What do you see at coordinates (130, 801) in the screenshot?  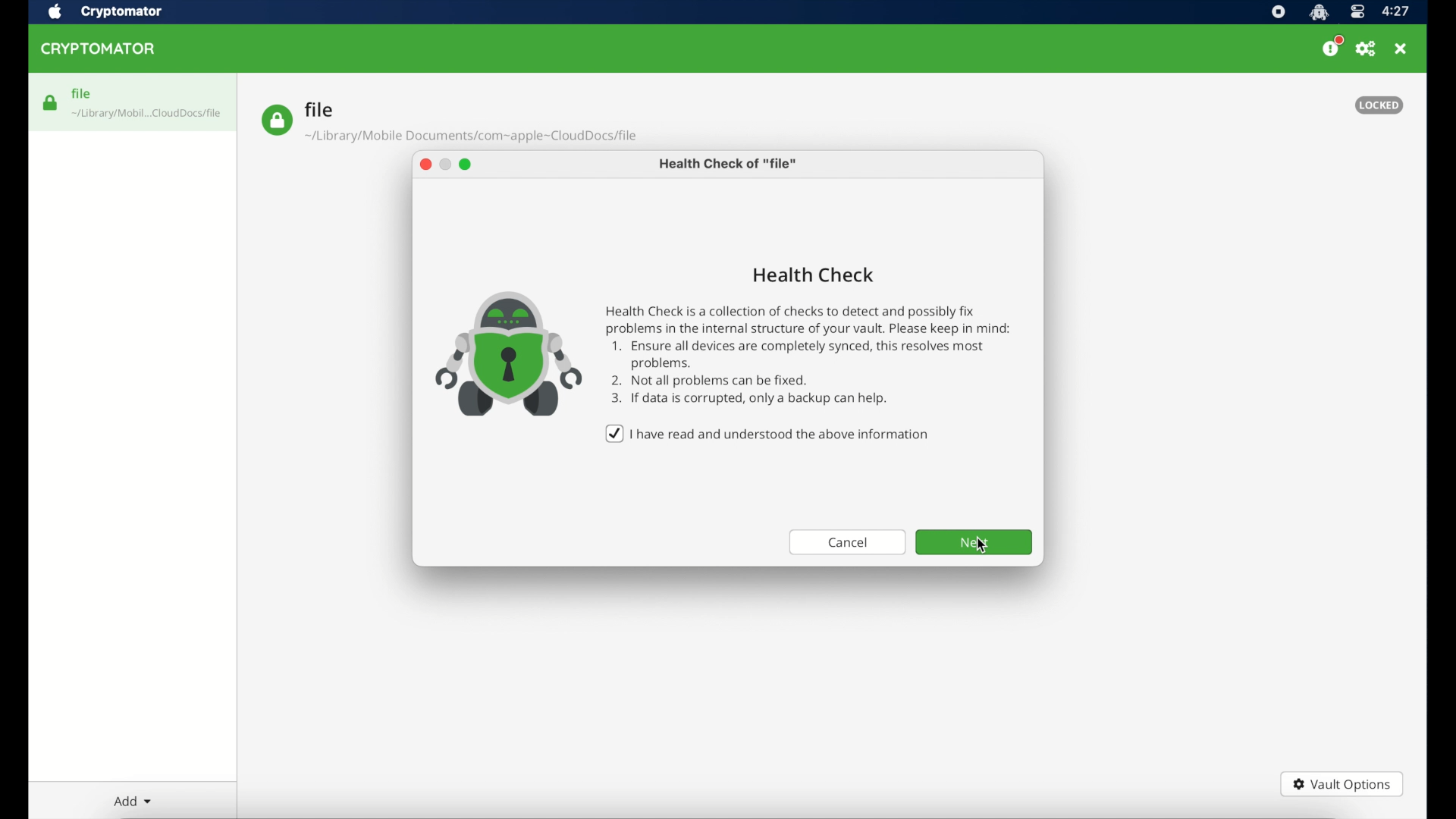 I see `add dropdown` at bounding box center [130, 801].